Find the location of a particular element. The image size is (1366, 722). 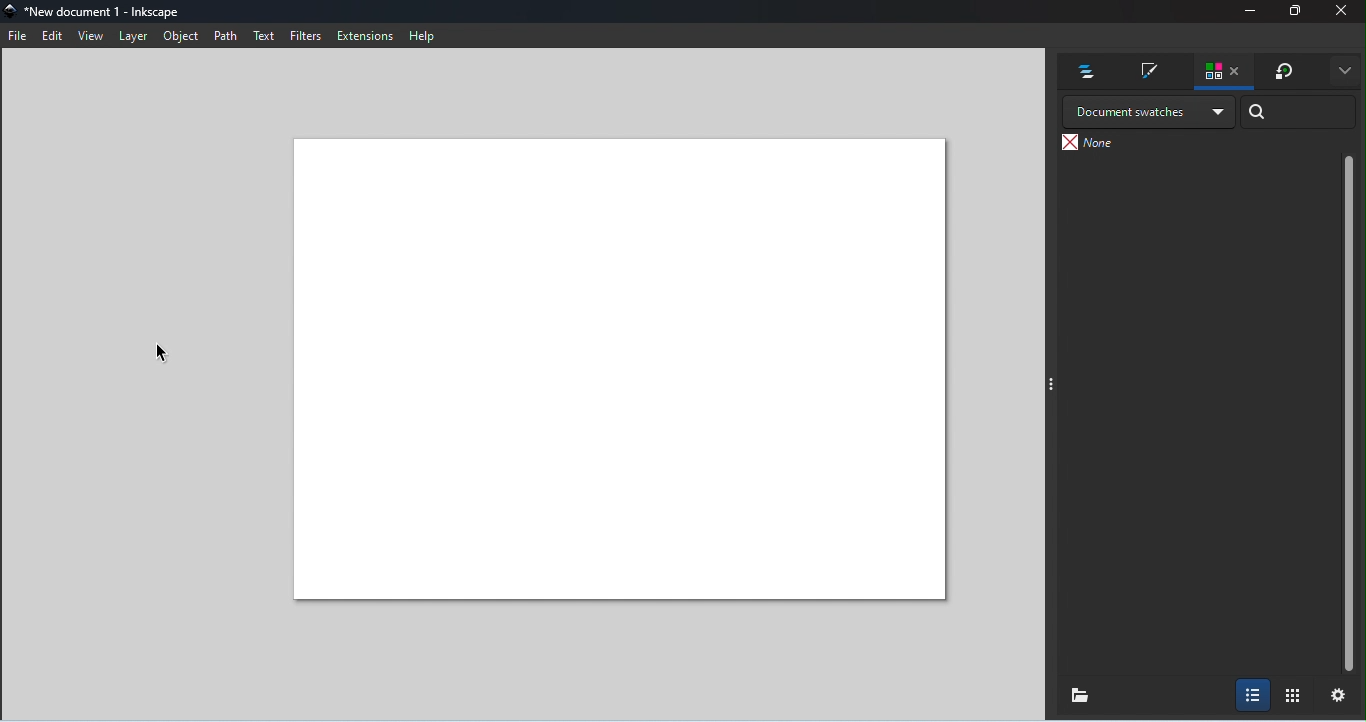

More options is located at coordinates (1339, 73).